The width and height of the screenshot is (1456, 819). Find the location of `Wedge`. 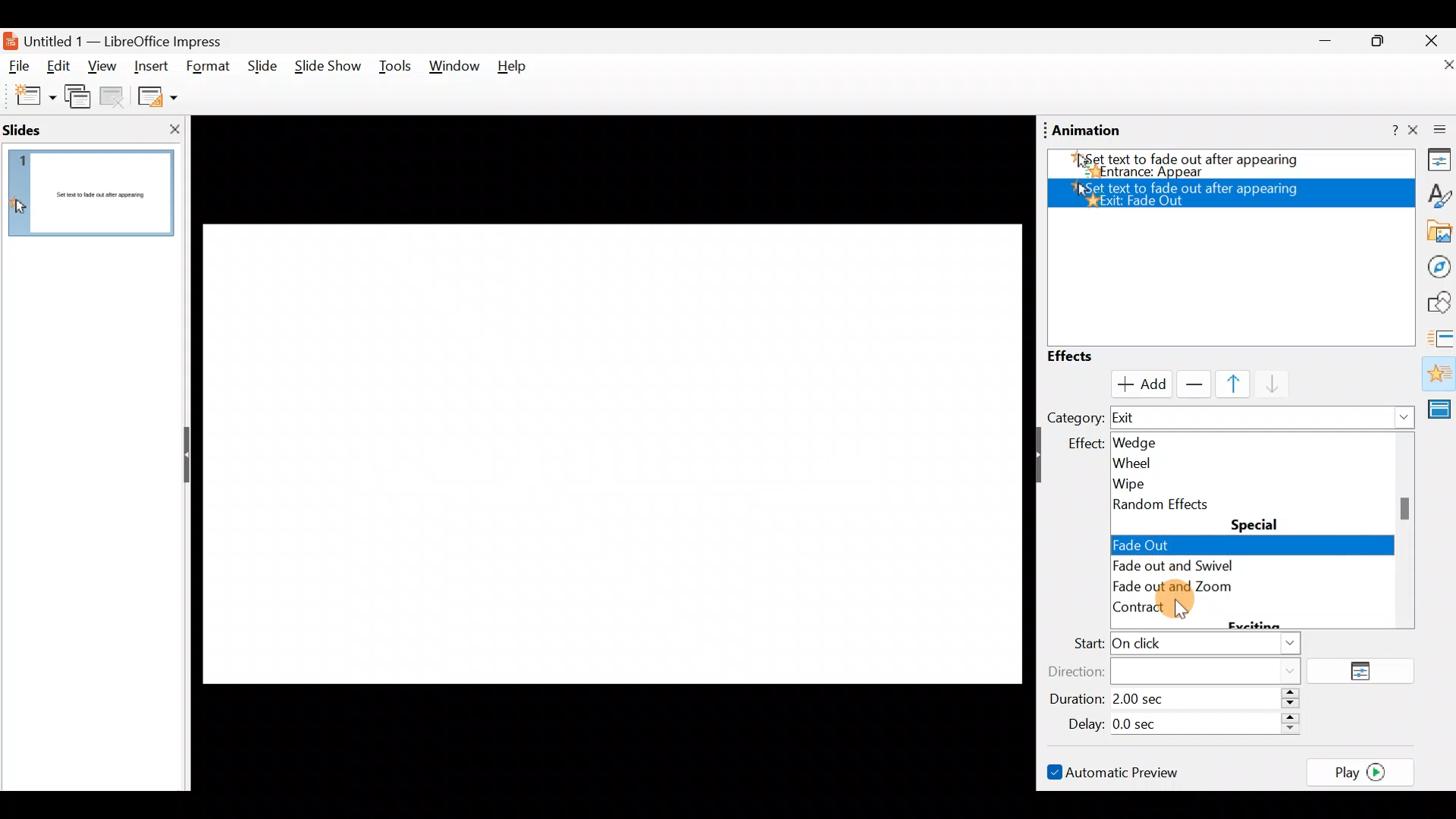

Wedge is located at coordinates (1153, 441).